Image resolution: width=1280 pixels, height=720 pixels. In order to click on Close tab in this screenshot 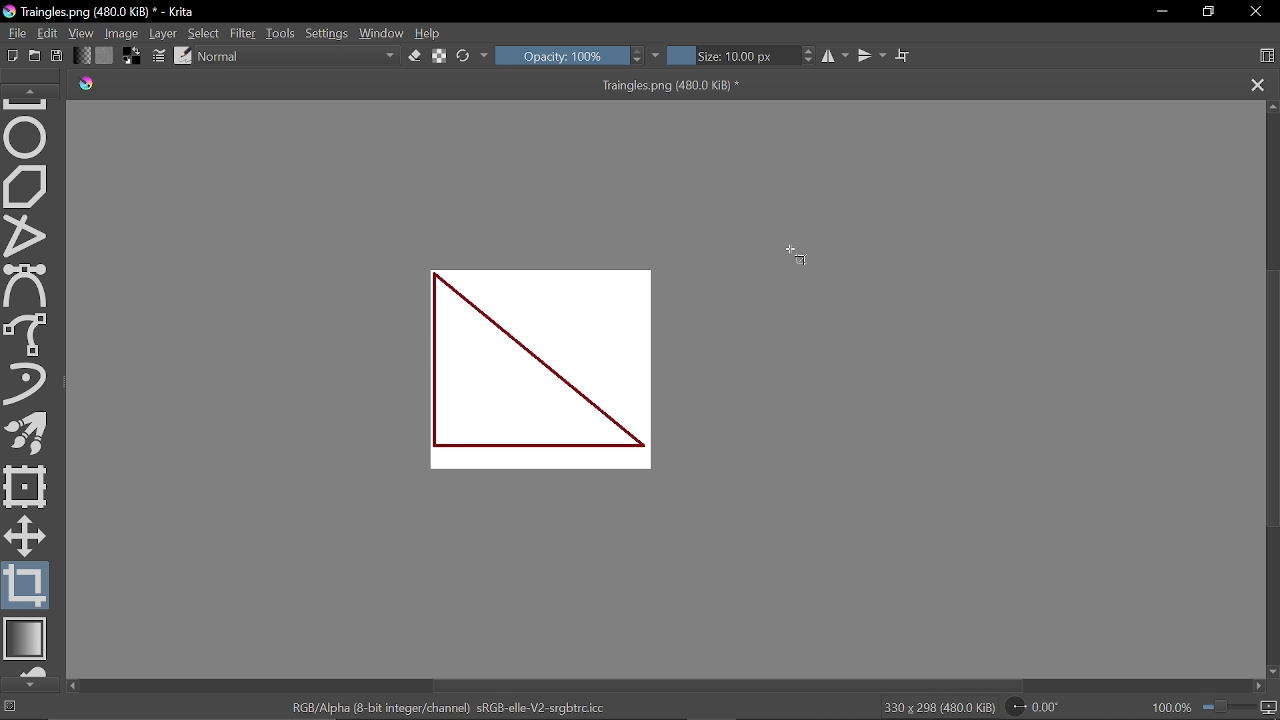, I will do `click(1258, 86)`.